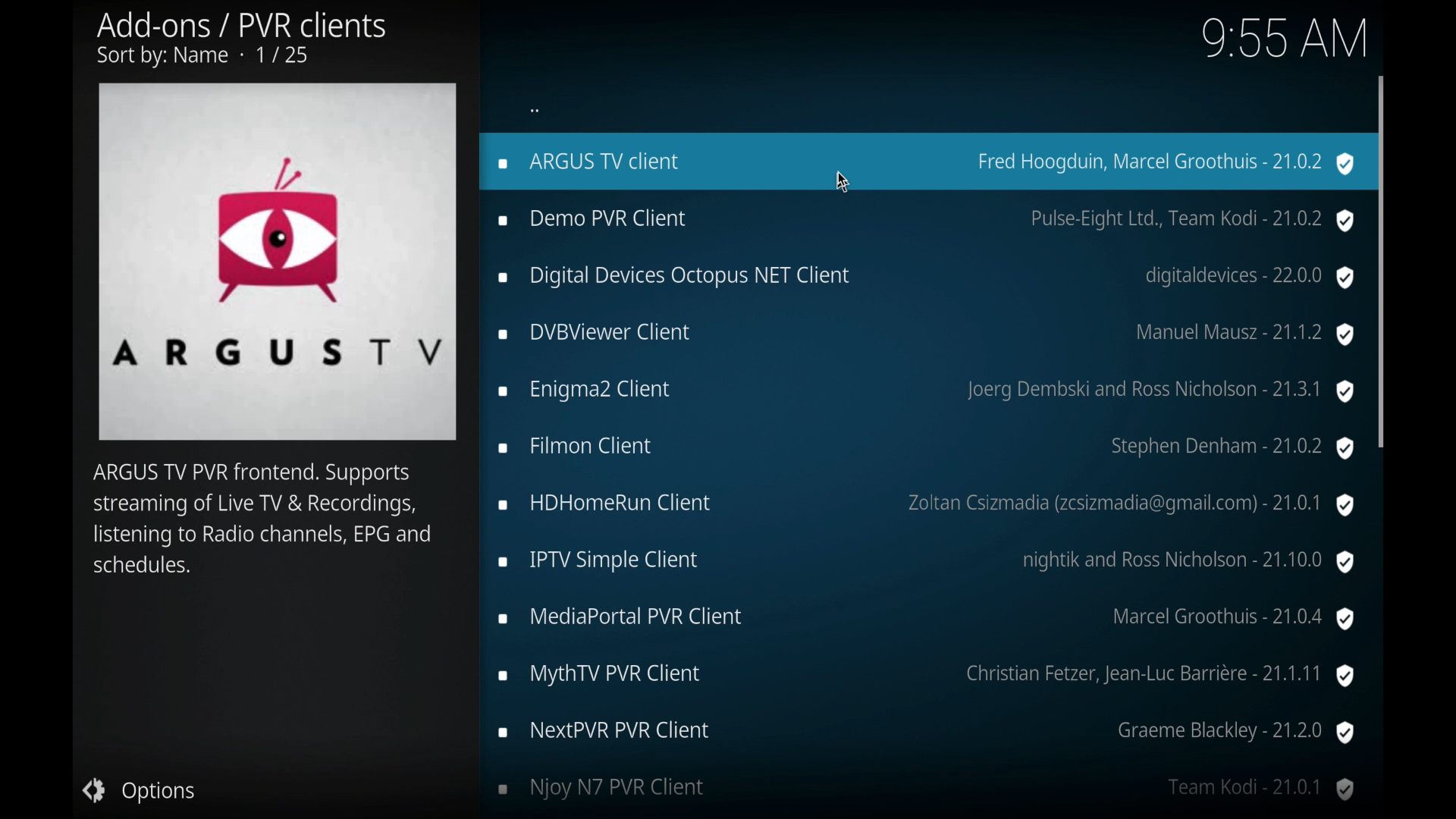 The image size is (1456, 819). What do you see at coordinates (263, 523) in the screenshot?
I see `ARGUS TV PVR frontend. Supports
streaming of Live TV & Recordings,
listening to Radio channels, EPG and
schedules.` at bounding box center [263, 523].